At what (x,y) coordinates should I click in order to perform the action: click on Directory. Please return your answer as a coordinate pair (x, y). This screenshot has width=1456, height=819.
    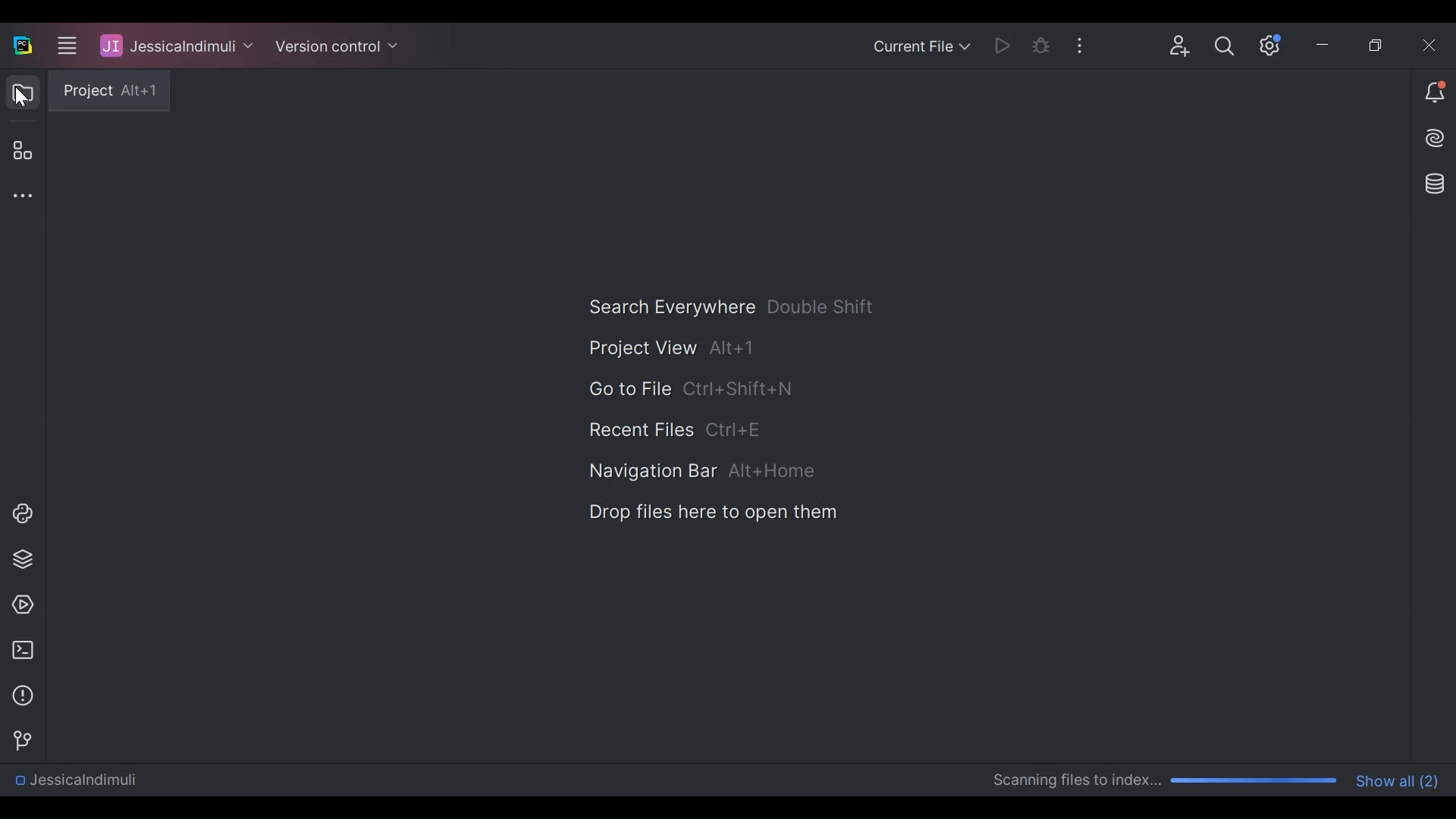
    Looking at the image, I should click on (77, 780).